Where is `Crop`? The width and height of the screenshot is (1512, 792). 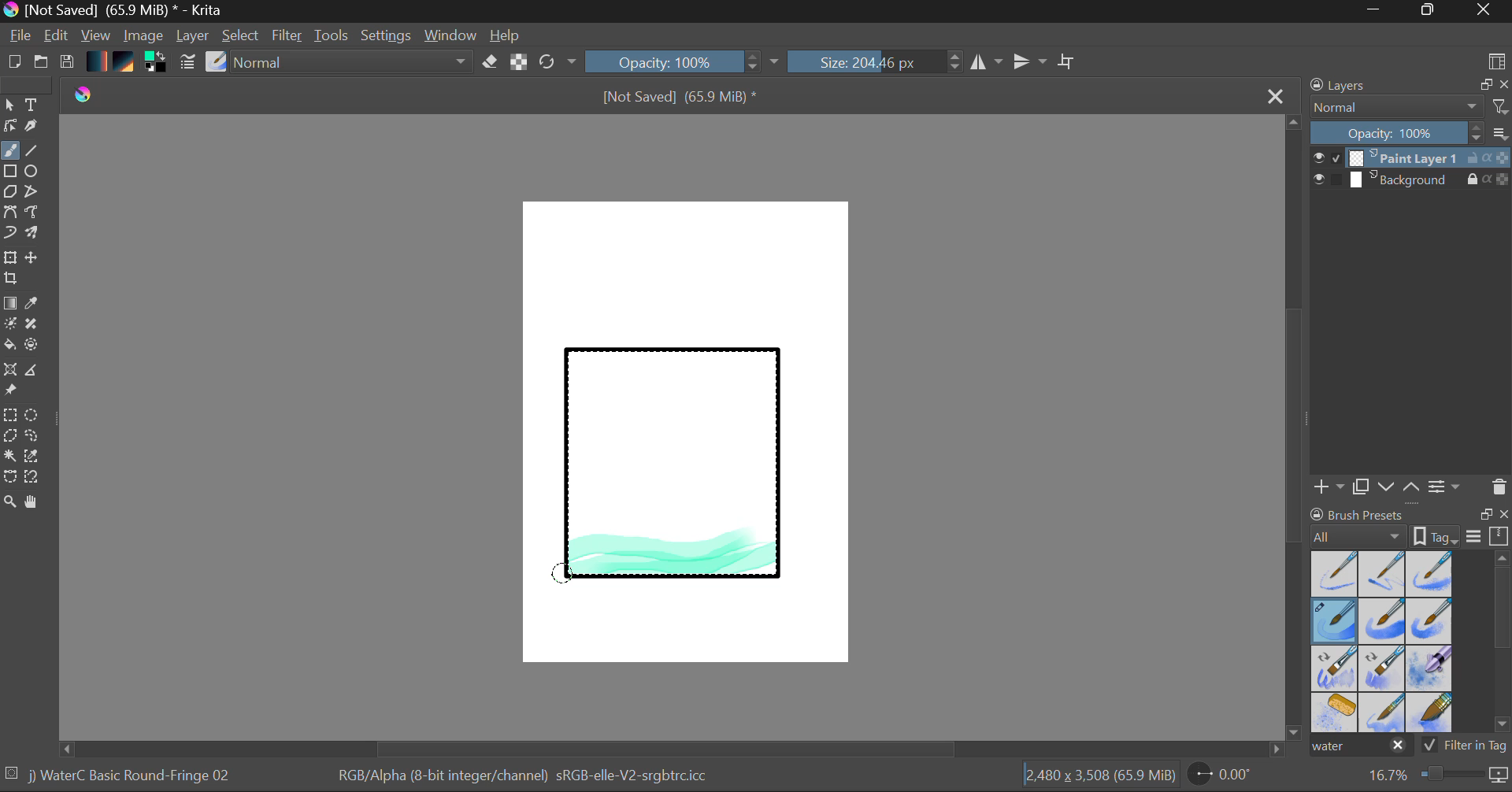 Crop is located at coordinates (13, 279).